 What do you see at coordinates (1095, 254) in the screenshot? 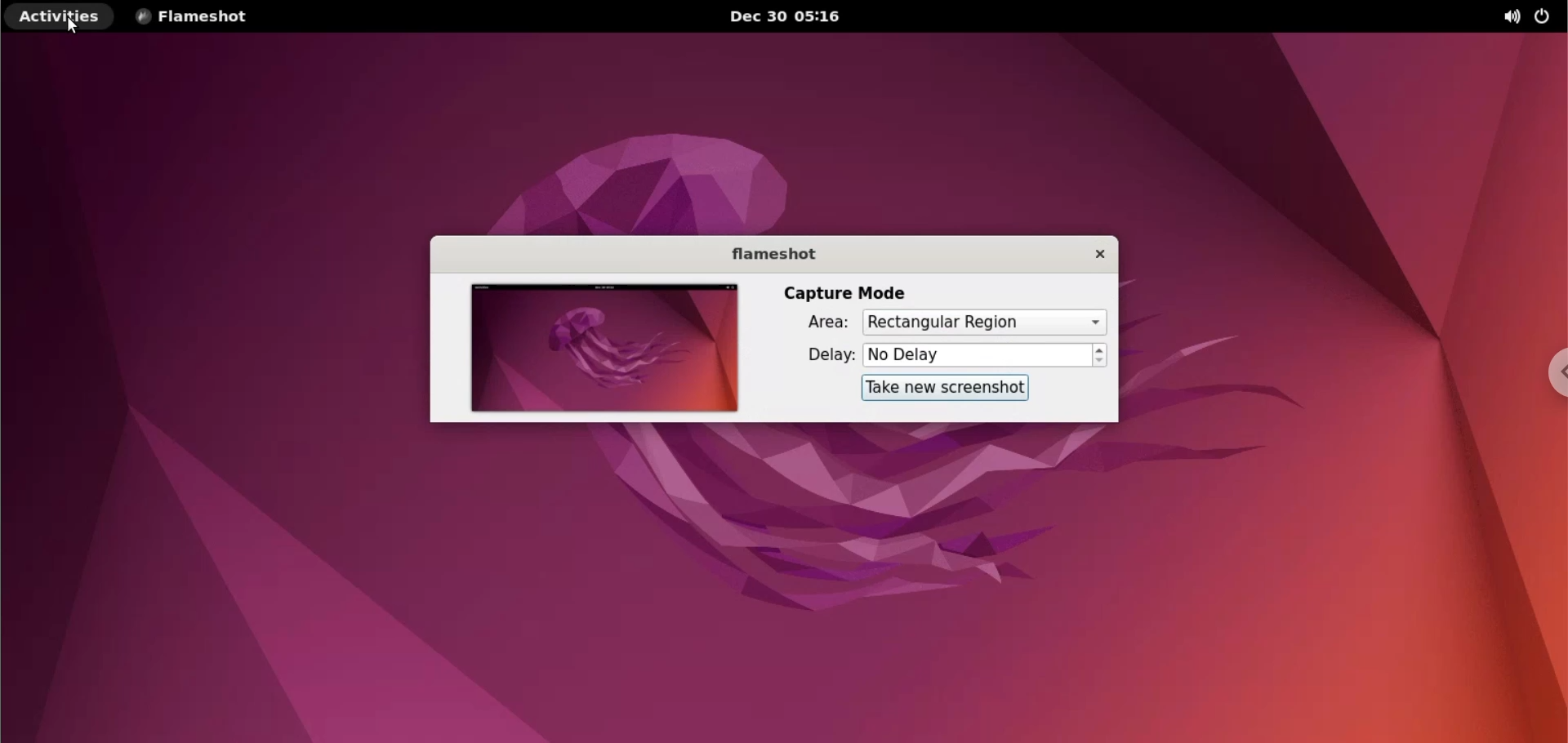
I see `close ` at bounding box center [1095, 254].